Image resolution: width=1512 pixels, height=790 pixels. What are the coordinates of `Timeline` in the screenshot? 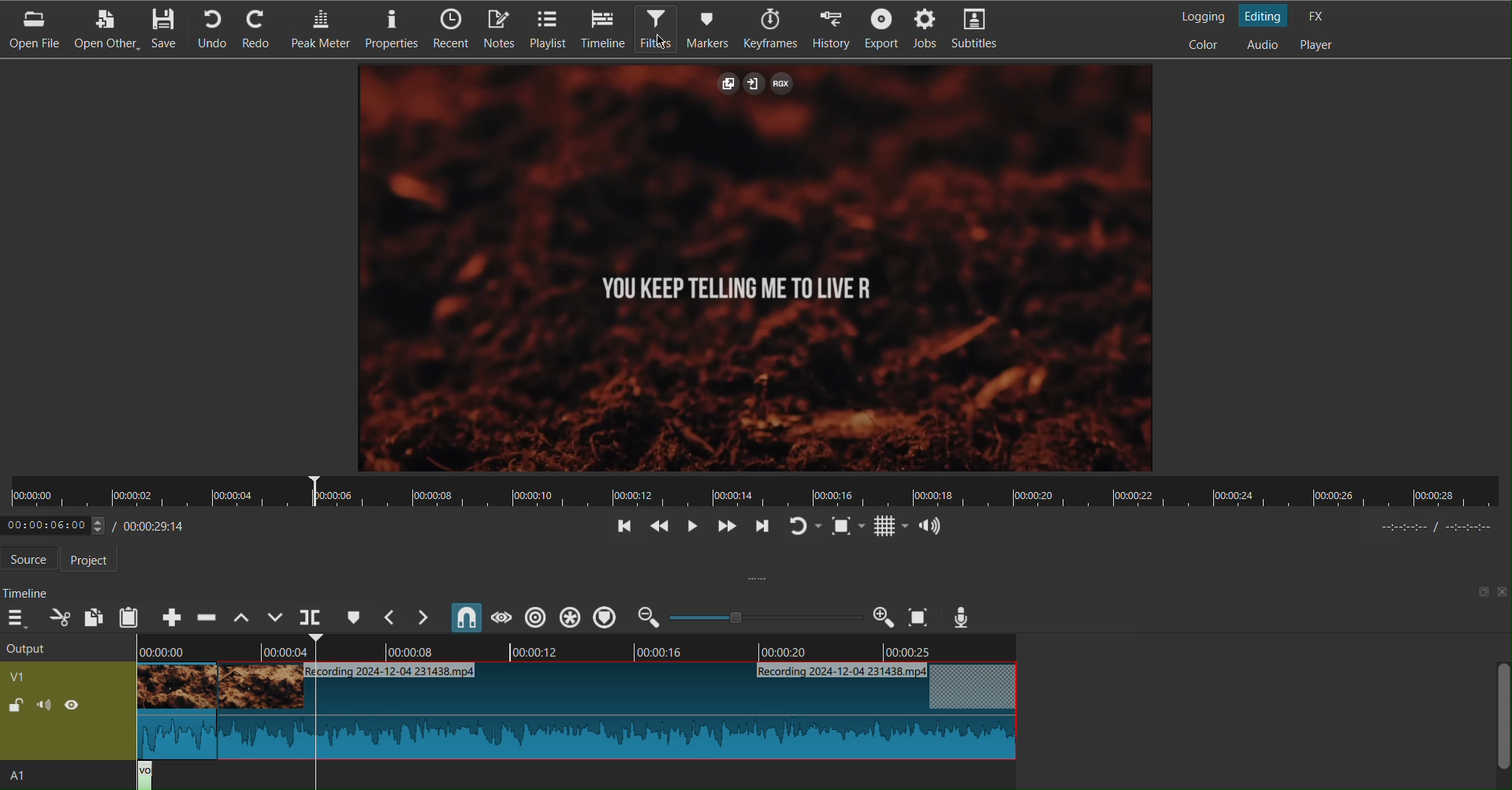 It's located at (27, 593).